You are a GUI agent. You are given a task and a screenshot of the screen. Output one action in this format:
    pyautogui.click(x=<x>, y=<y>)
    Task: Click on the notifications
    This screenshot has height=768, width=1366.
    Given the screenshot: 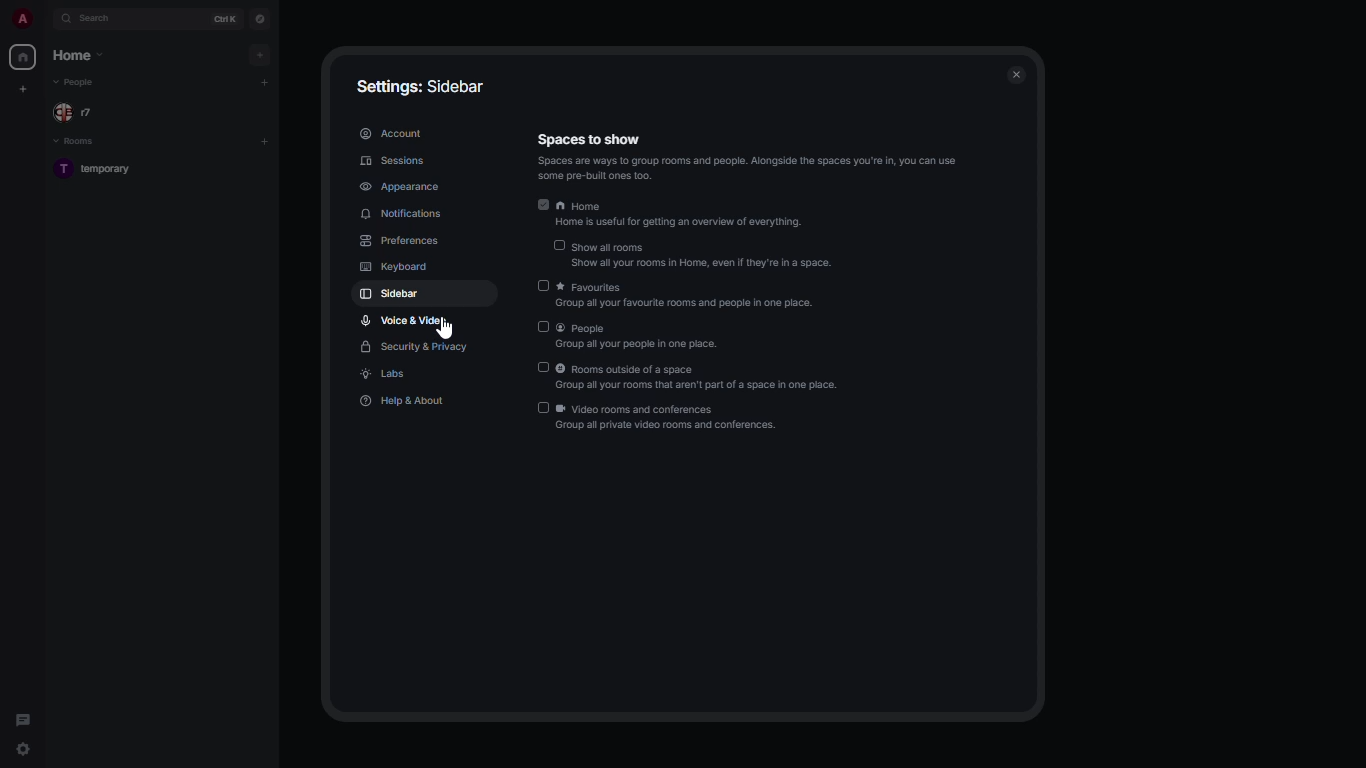 What is the action you would take?
    pyautogui.click(x=402, y=215)
    